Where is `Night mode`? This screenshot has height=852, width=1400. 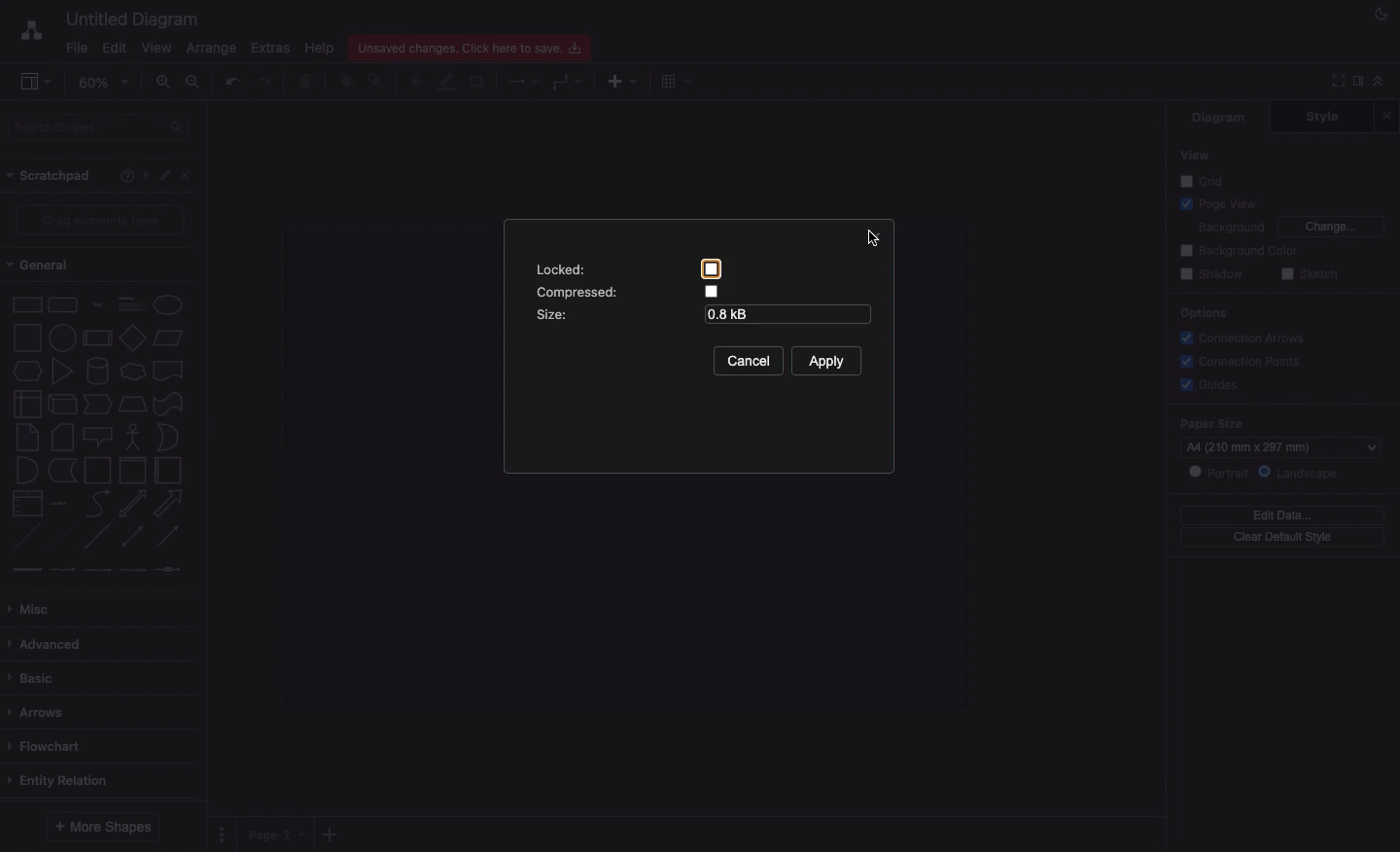 Night mode is located at coordinates (1382, 15).